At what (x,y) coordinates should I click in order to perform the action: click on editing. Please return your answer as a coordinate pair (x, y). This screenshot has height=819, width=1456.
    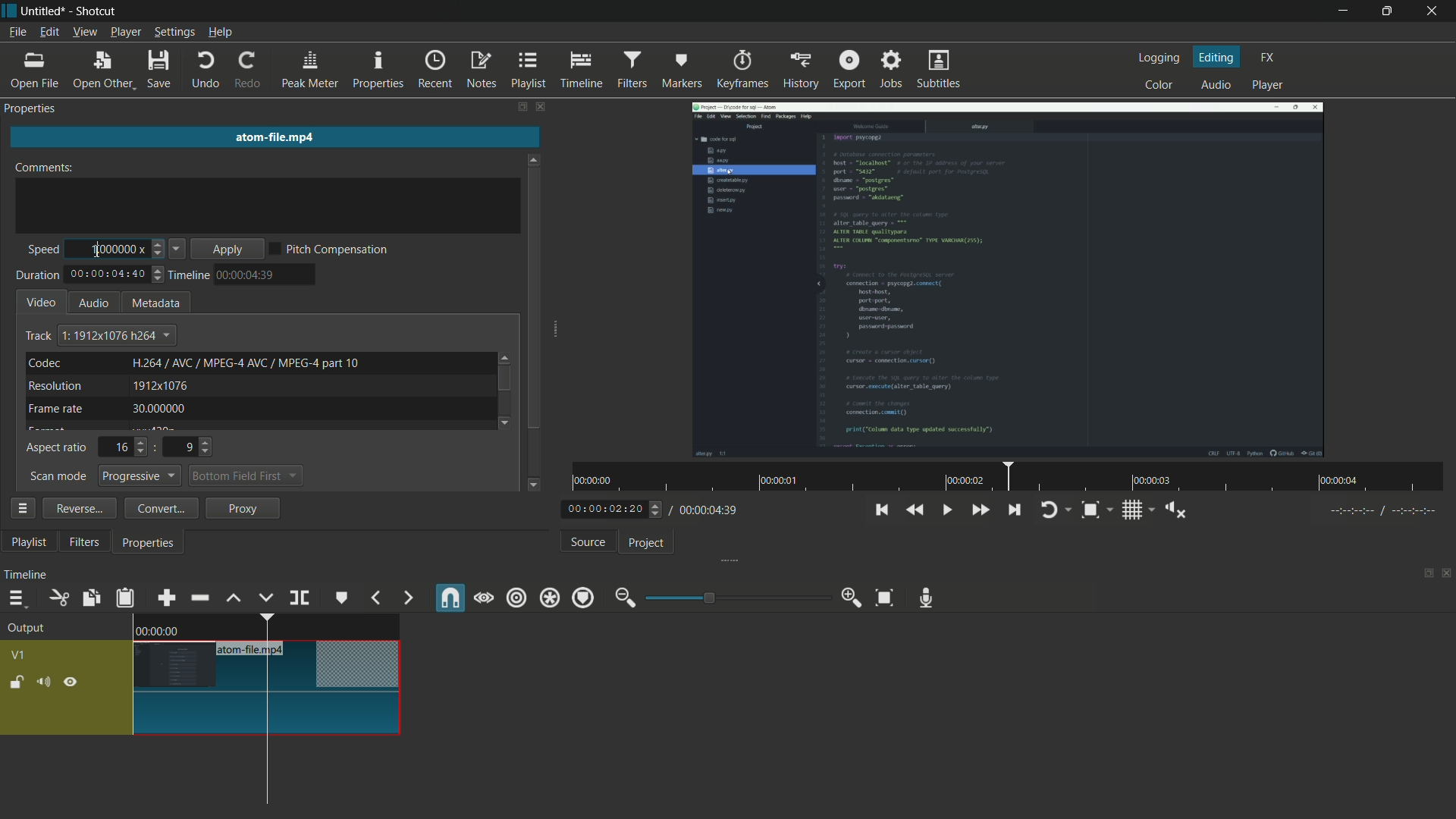
    Looking at the image, I should click on (1218, 58).